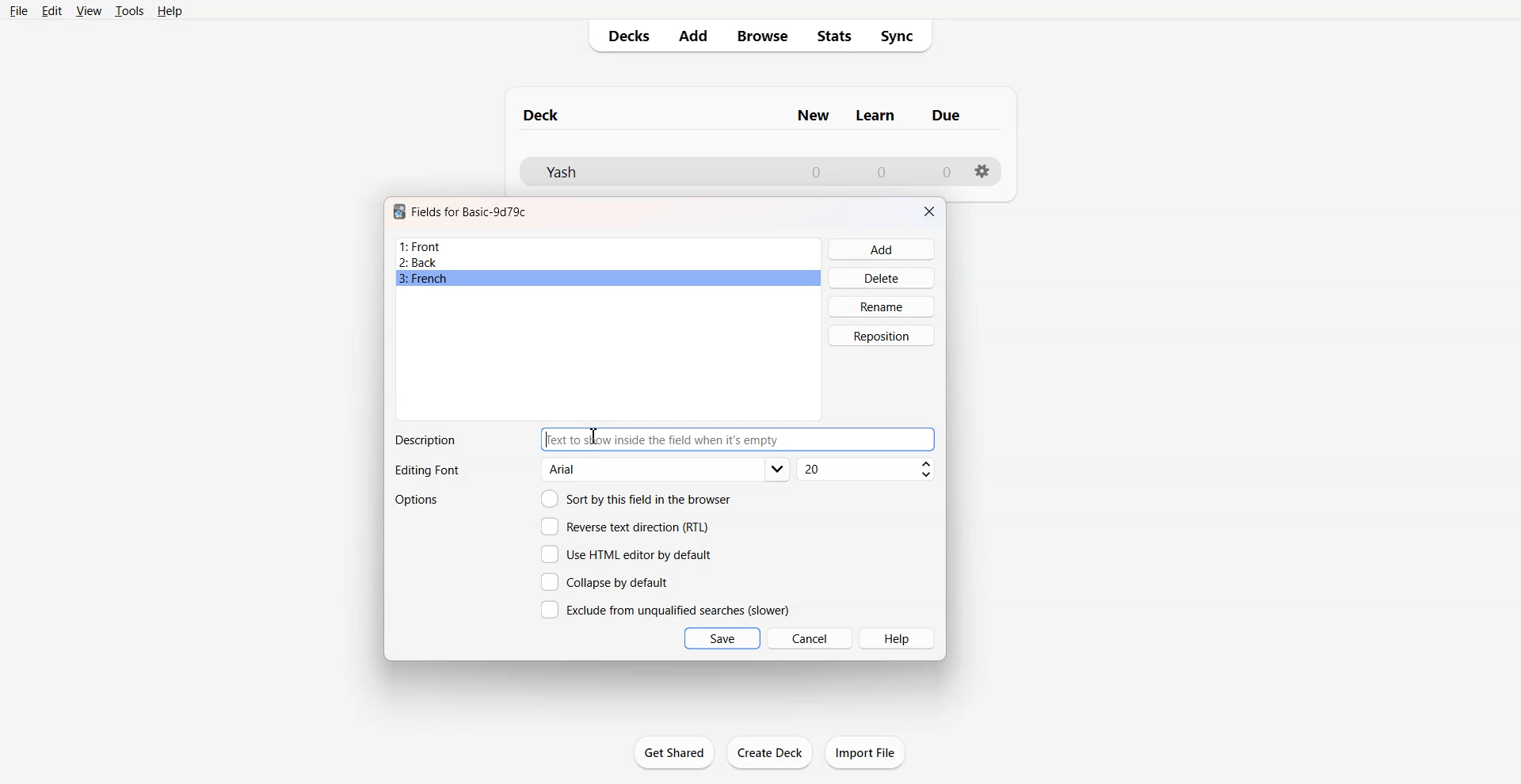  Describe the element at coordinates (875, 116) in the screenshot. I see `Column name` at that location.